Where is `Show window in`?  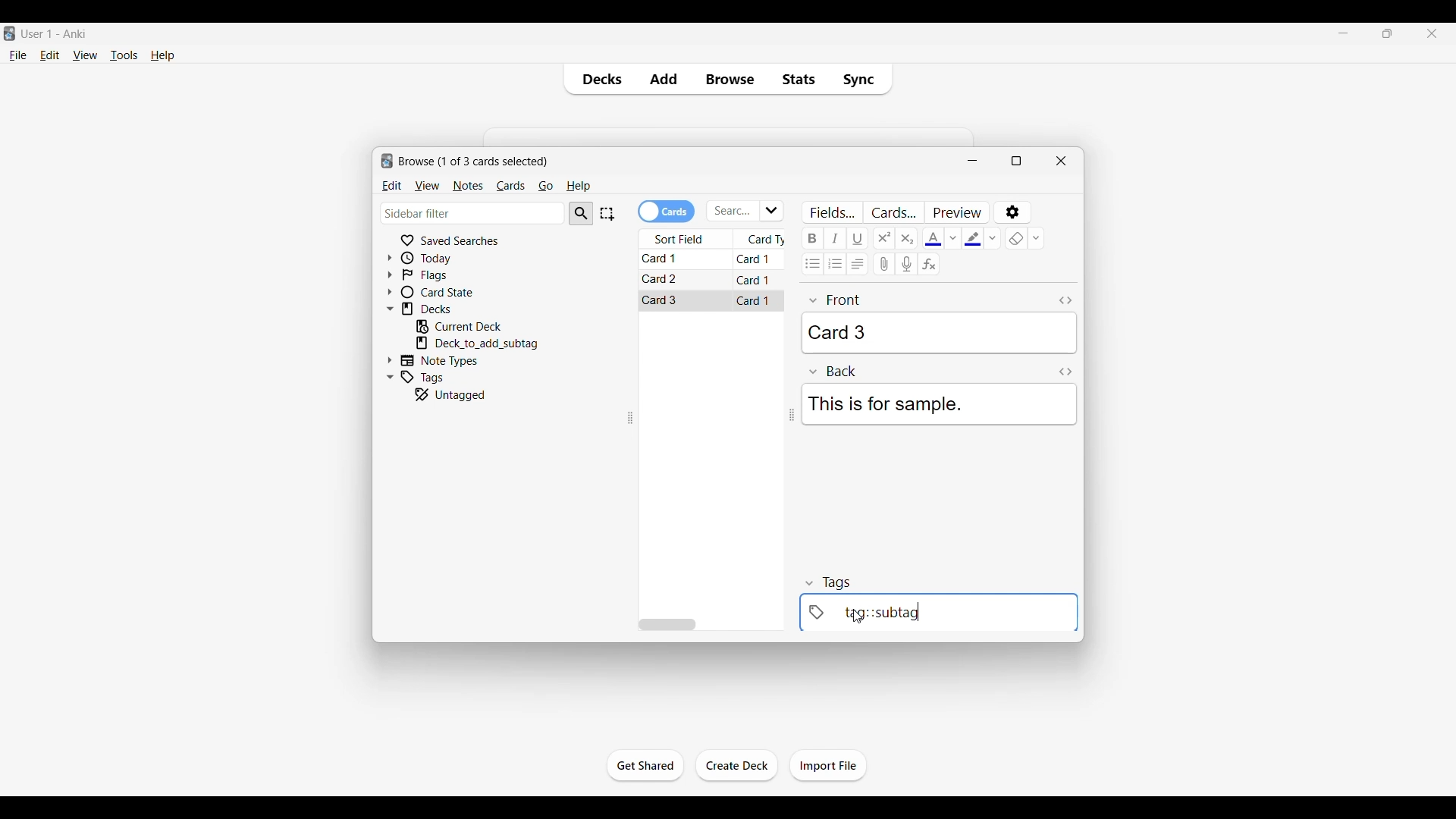
Show window in is located at coordinates (1017, 161).